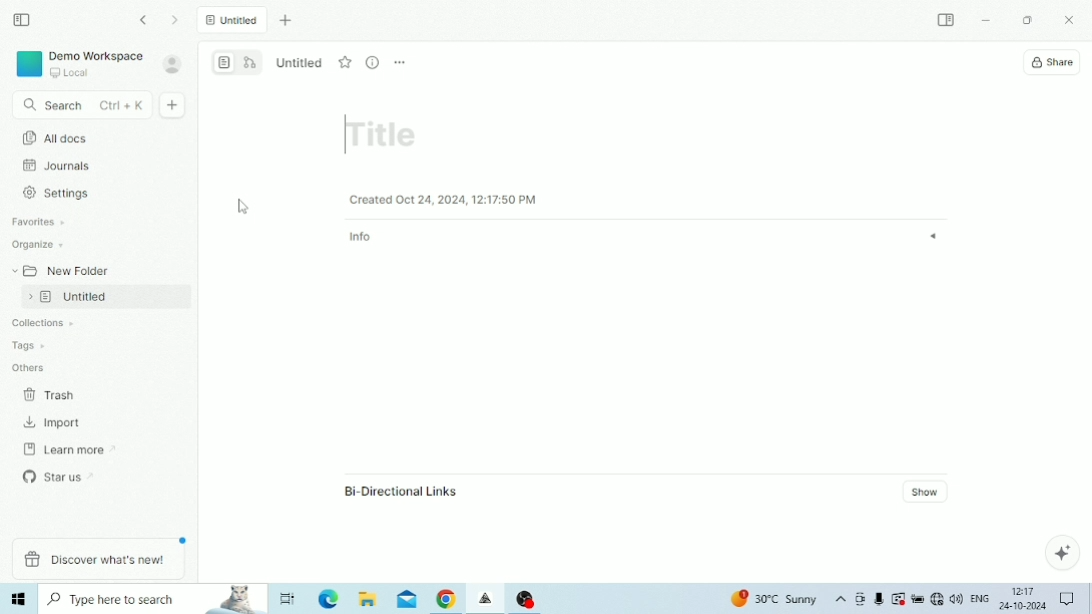 This screenshot has width=1092, height=614. What do you see at coordinates (346, 62) in the screenshot?
I see `Favourite` at bounding box center [346, 62].